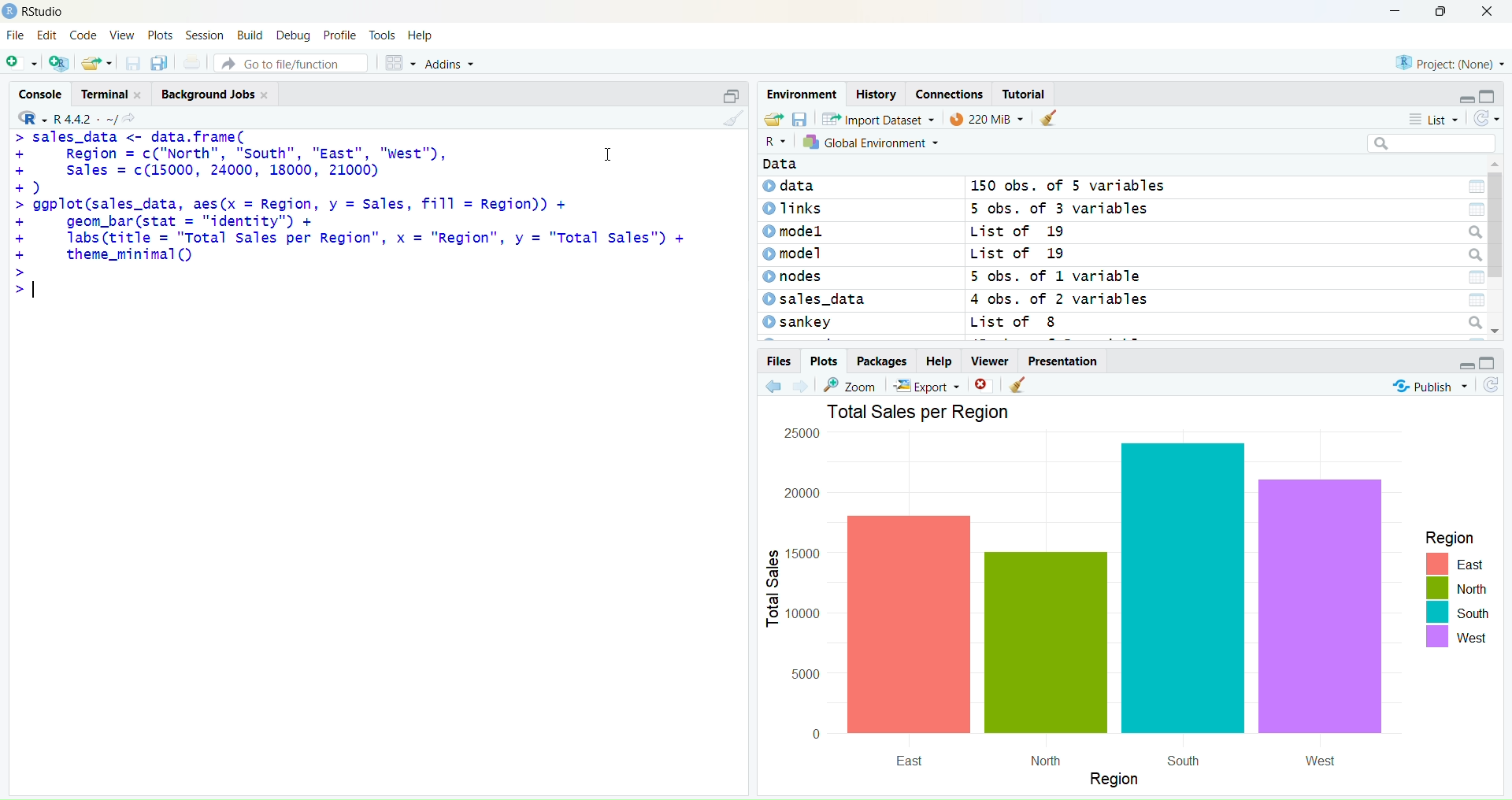 The width and height of the screenshot is (1512, 800). What do you see at coordinates (1464, 98) in the screenshot?
I see `minimise` at bounding box center [1464, 98].